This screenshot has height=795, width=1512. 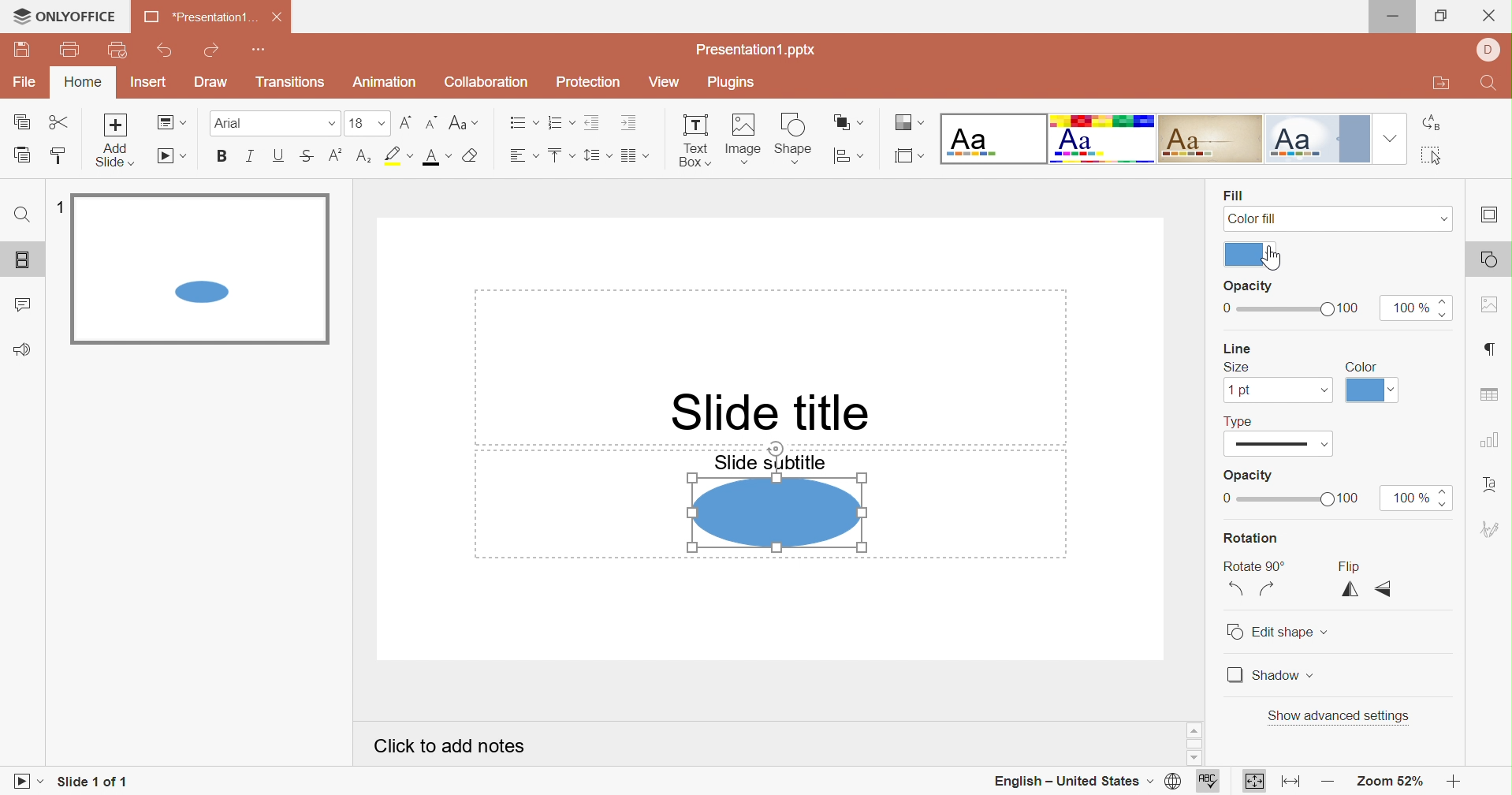 I want to click on Image, so click(x=744, y=140).